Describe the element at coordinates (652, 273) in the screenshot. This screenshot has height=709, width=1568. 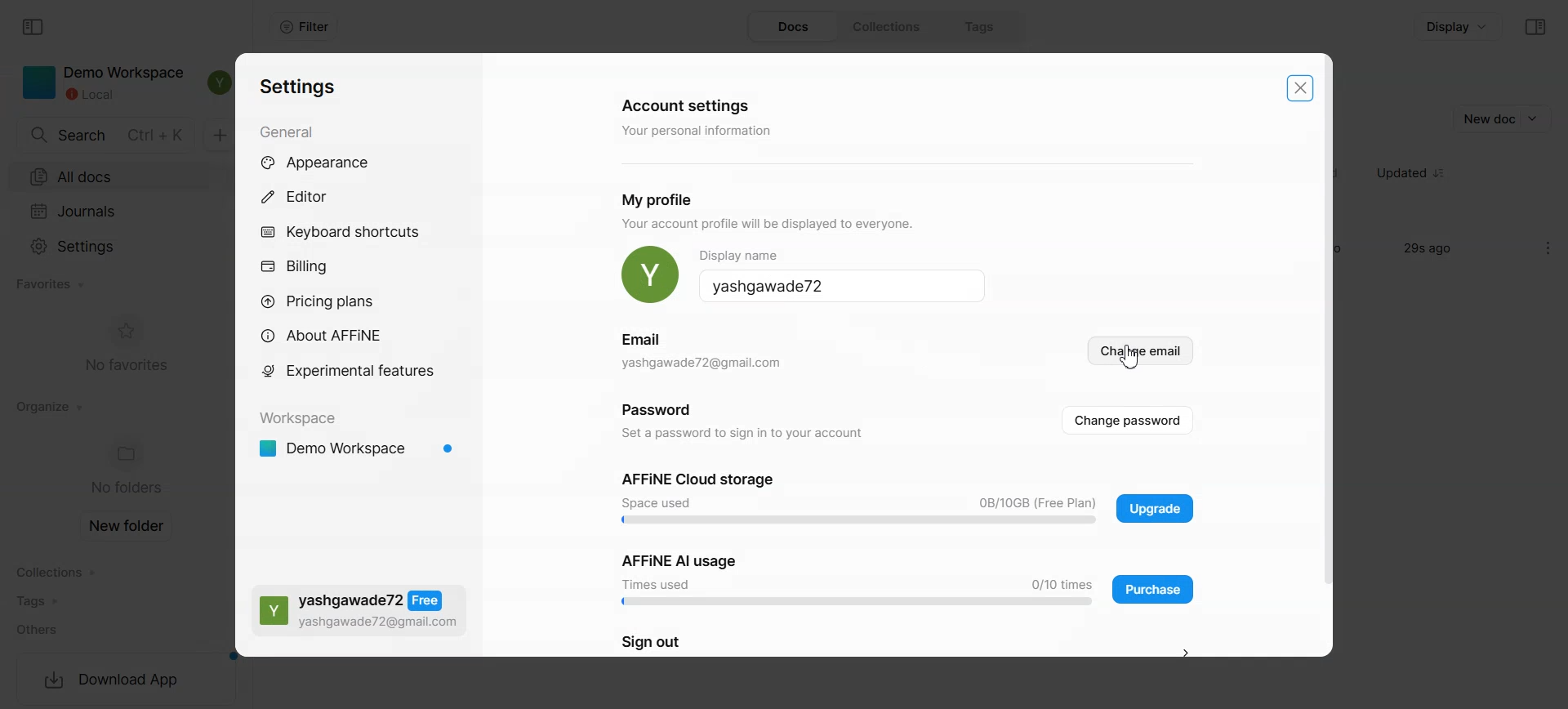
I see `Replace Photo` at that location.